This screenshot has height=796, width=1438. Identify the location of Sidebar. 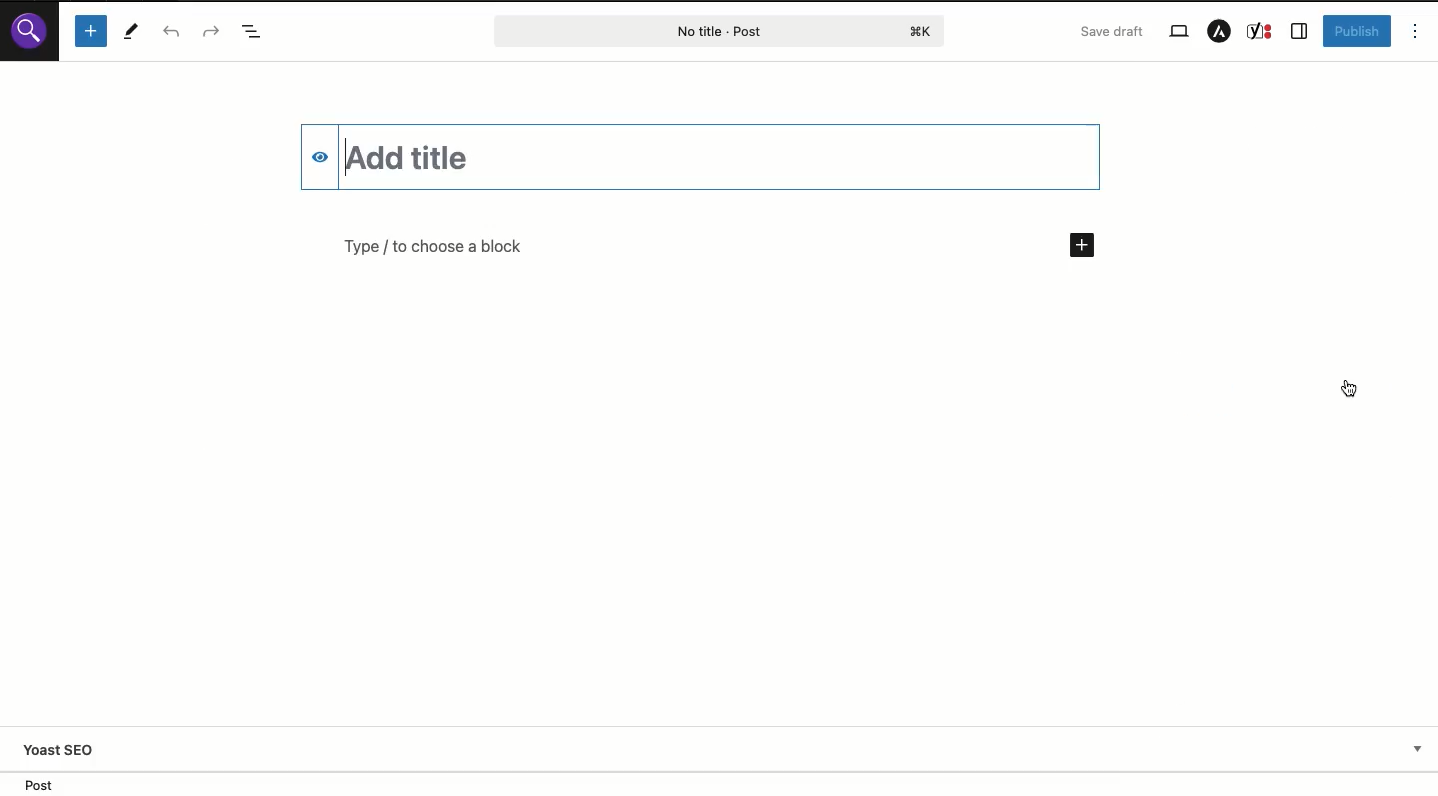
(1300, 31).